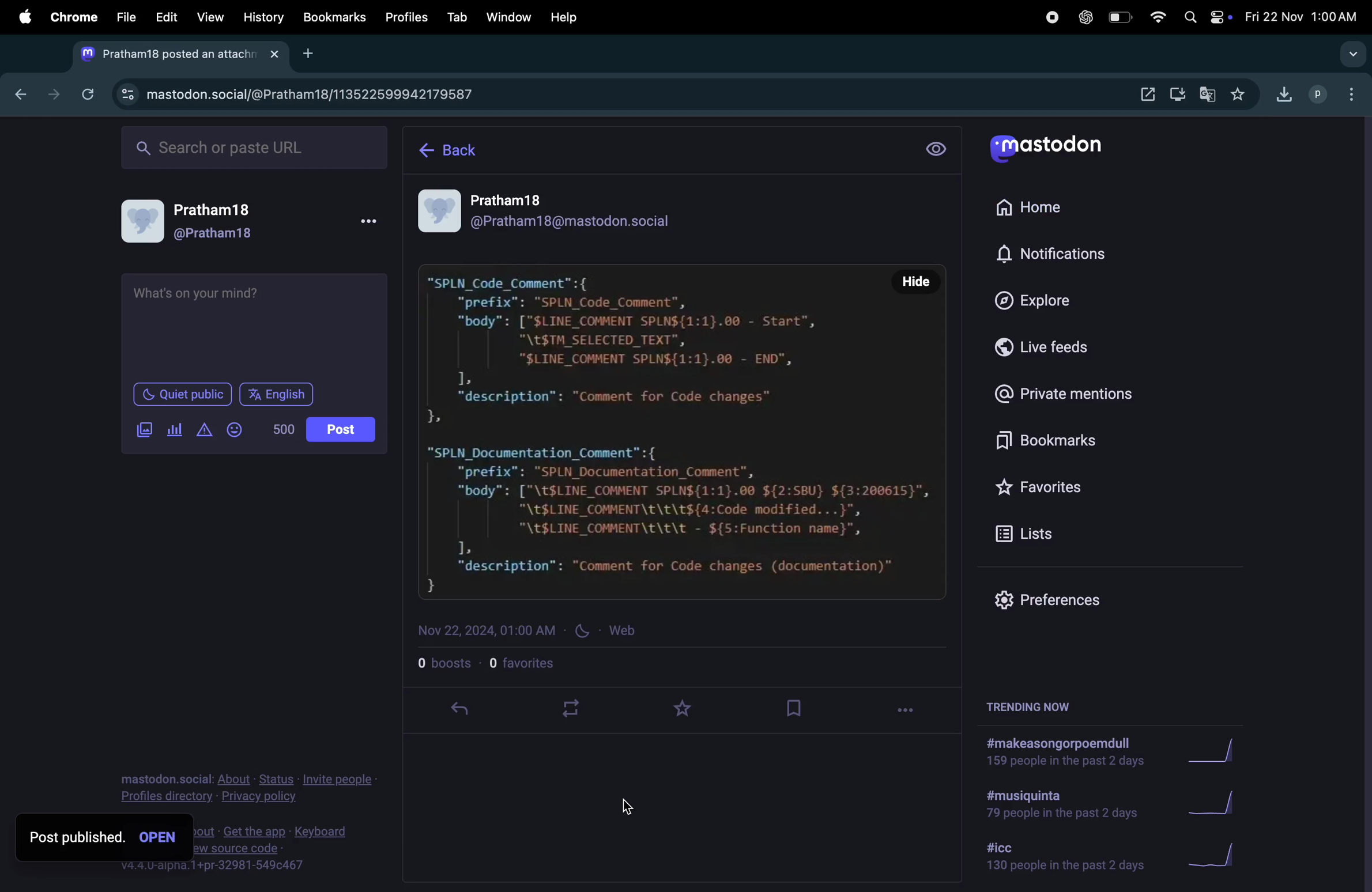  I want to click on profile information, so click(670, 210).